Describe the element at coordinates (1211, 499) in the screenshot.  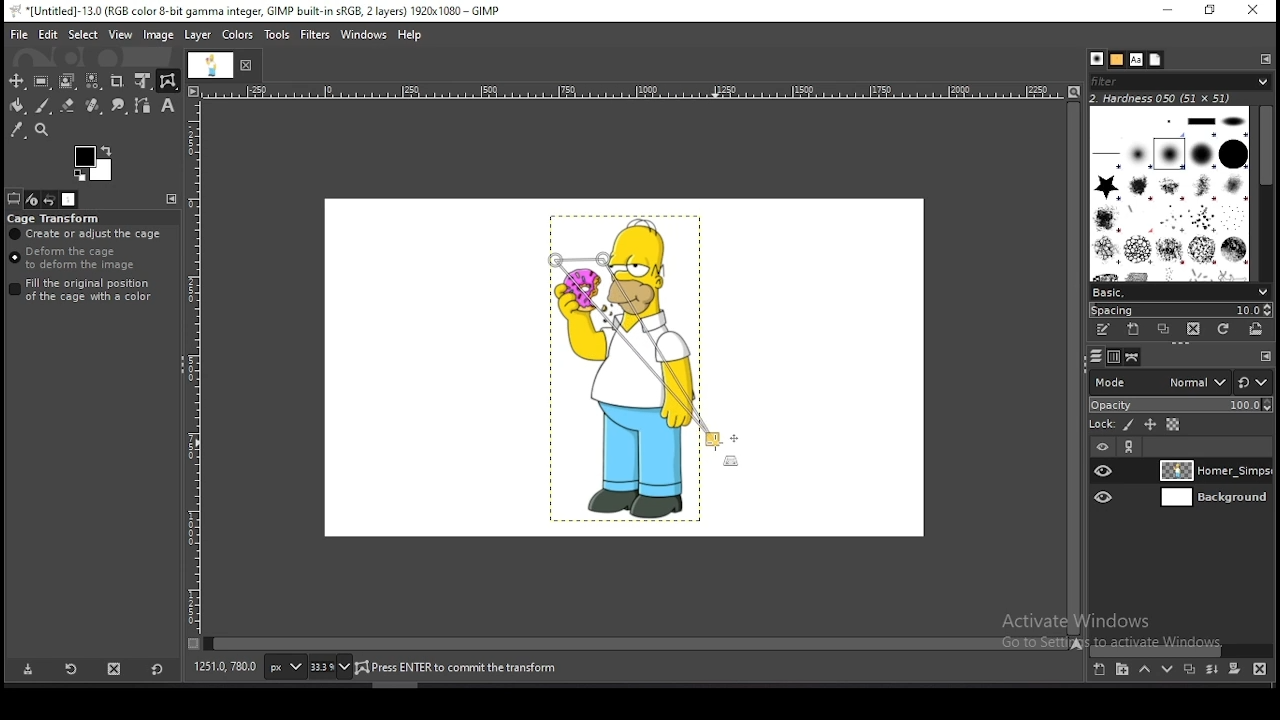
I see `layer` at that location.